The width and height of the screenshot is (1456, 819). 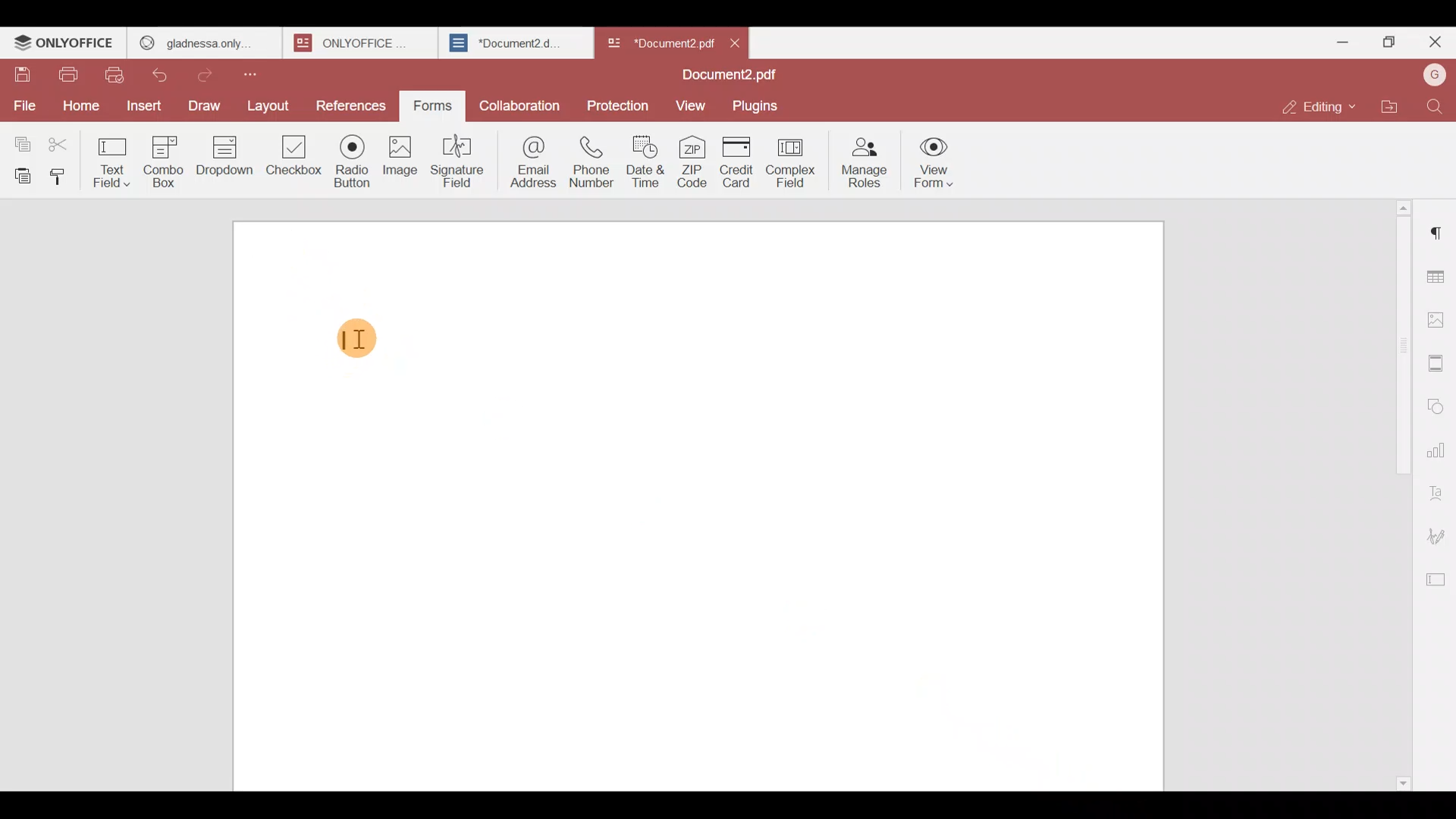 I want to click on Close, so click(x=736, y=42).